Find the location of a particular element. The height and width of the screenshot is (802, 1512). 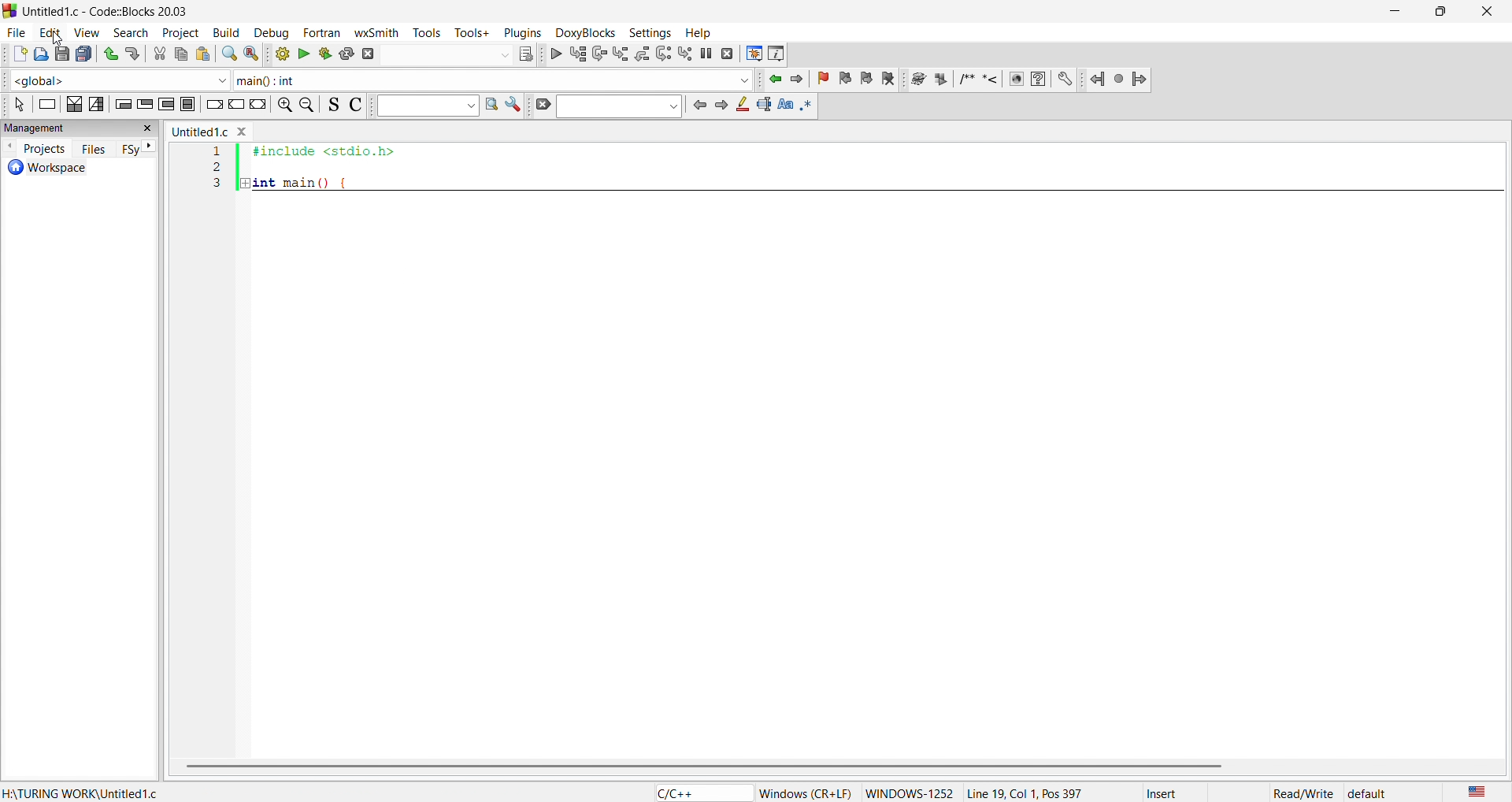

run to cursor is located at coordinates (577, 54).